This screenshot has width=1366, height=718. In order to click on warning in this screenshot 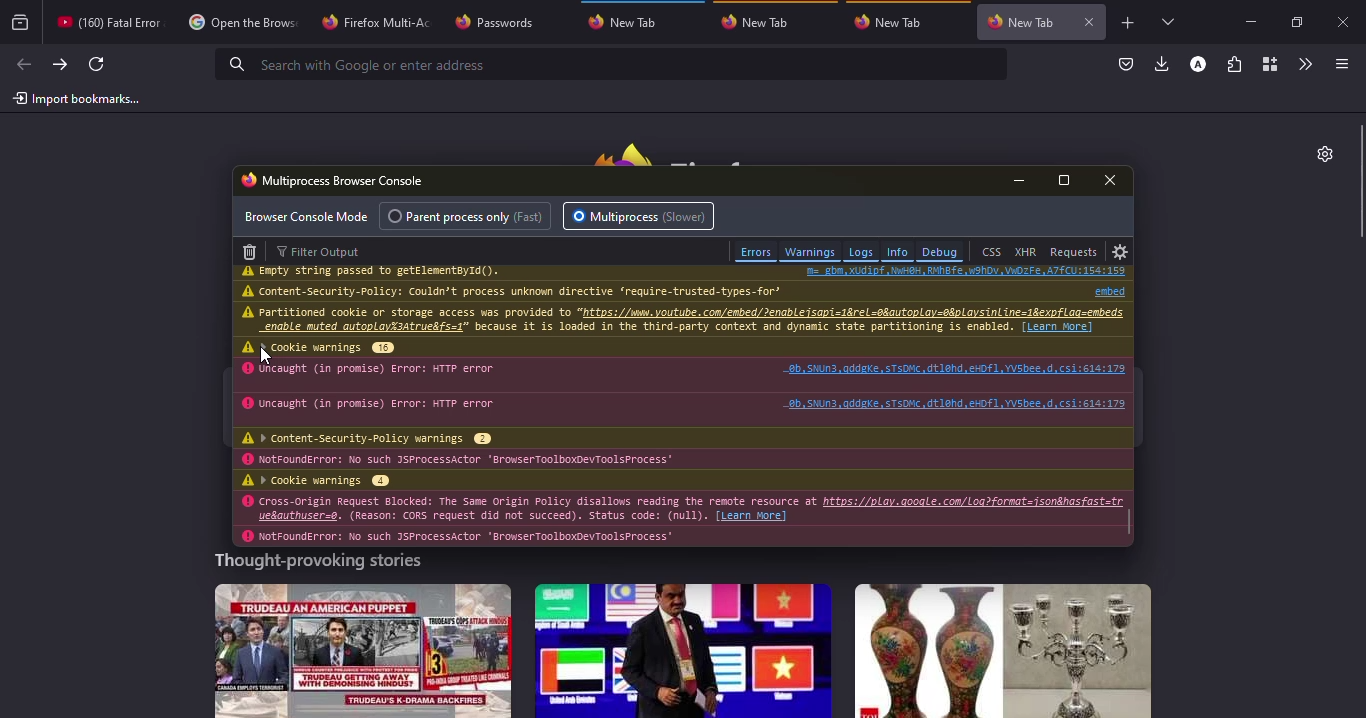, I will do `click(248, 502)`.